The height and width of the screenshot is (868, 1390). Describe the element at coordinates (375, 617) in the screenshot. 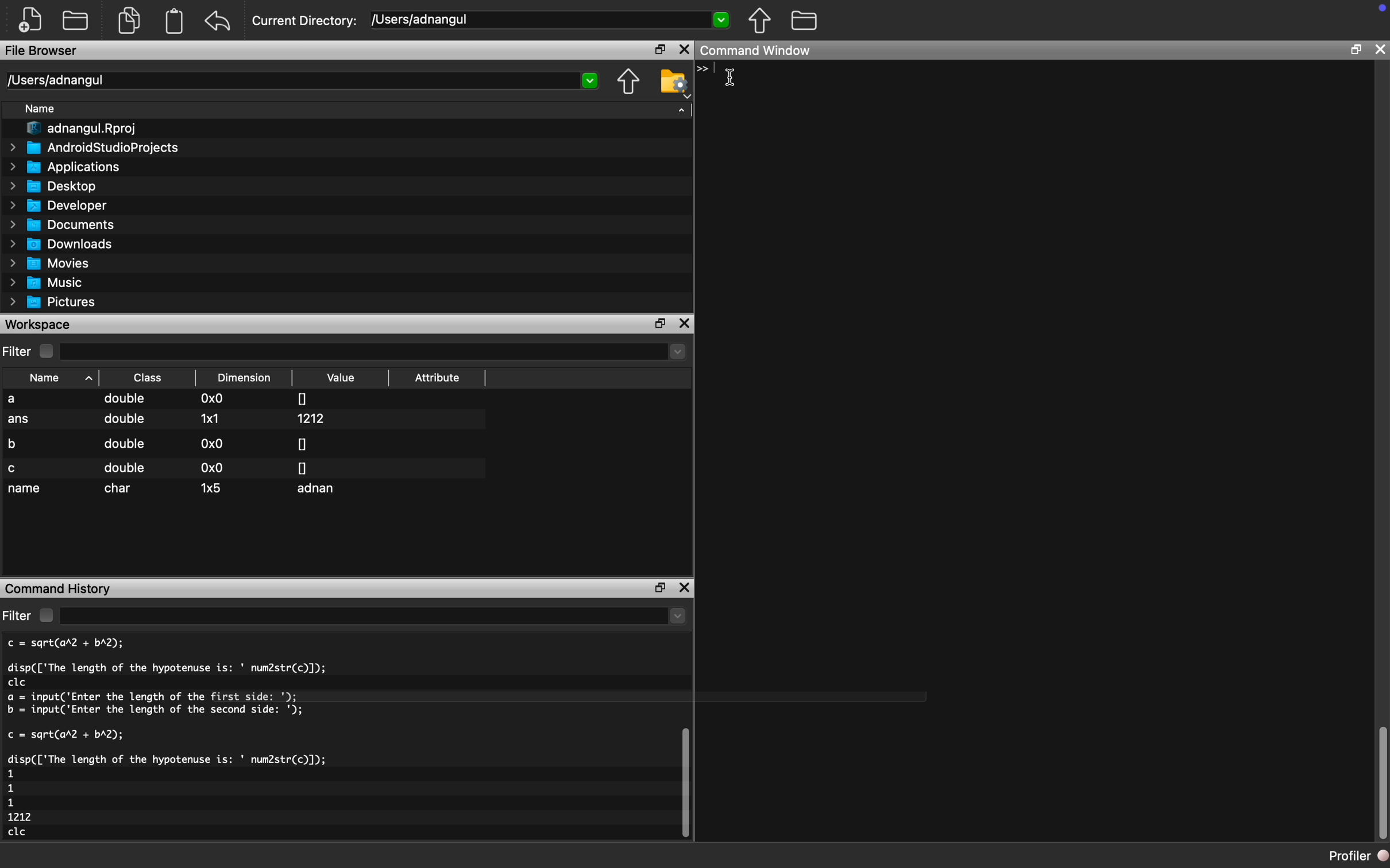

I see `dropdown` at that location.